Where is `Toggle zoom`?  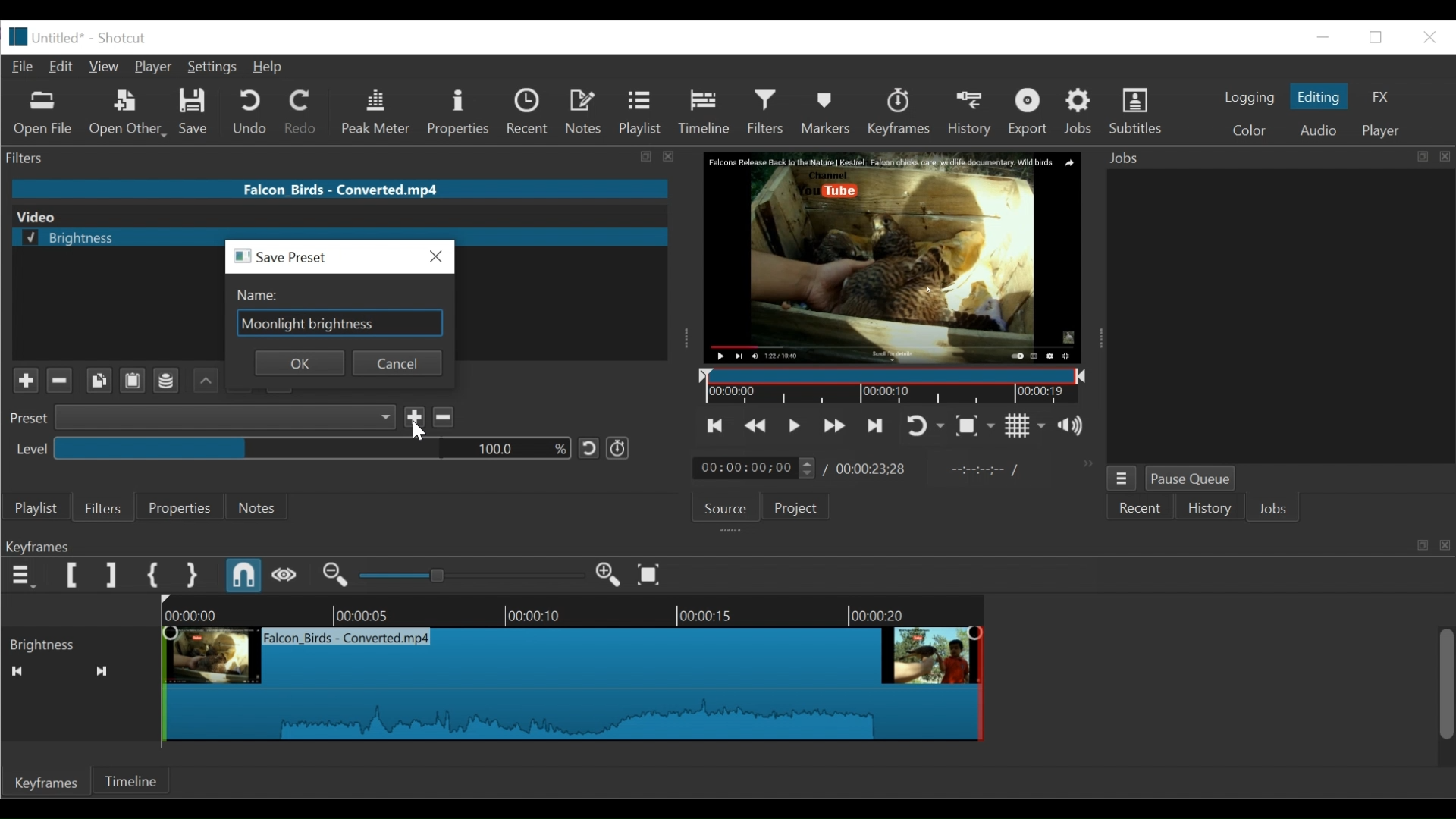
Toggle zoom is located at coordinates (977, 426).